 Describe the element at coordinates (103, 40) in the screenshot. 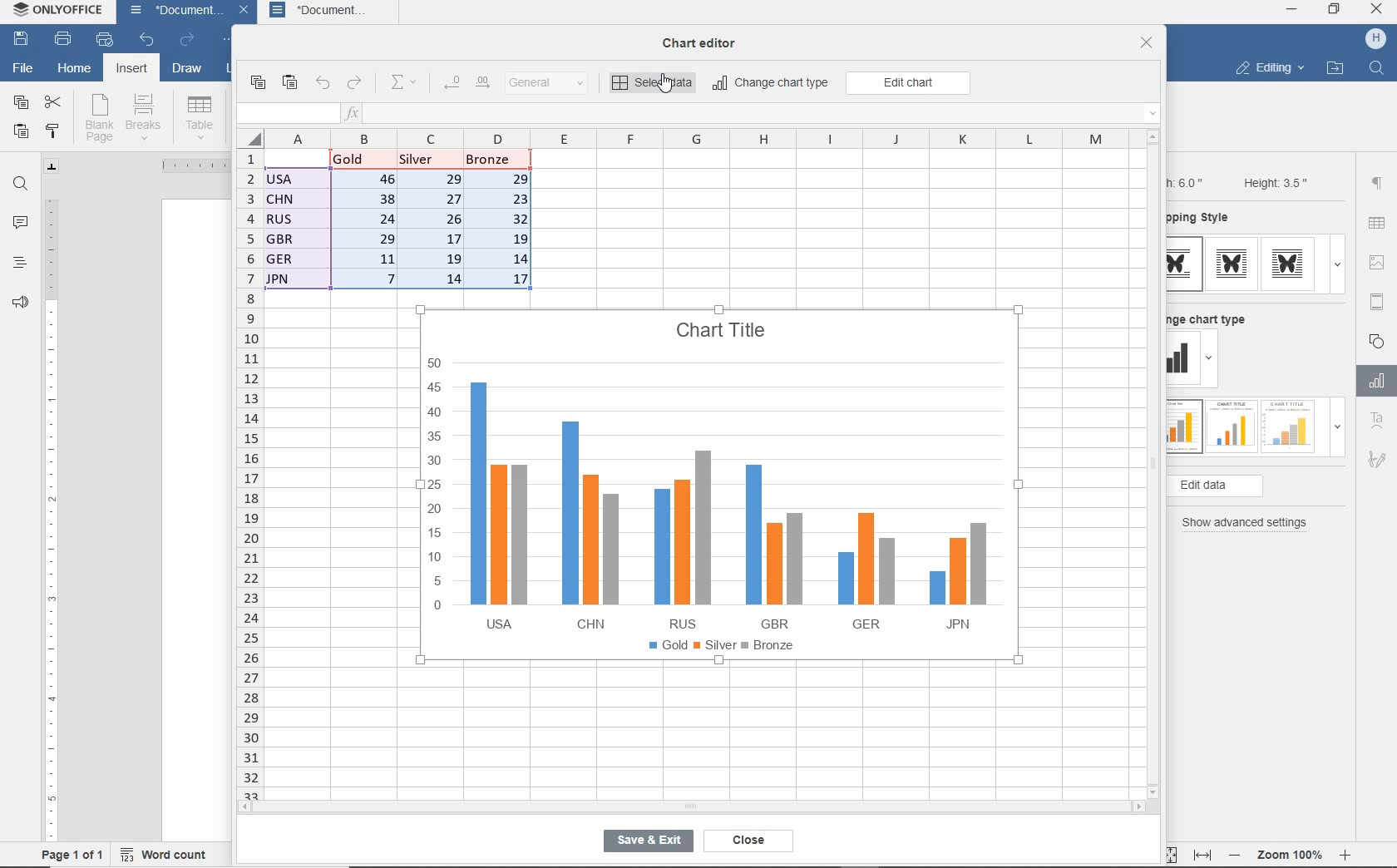

I see `quick print` at that location.